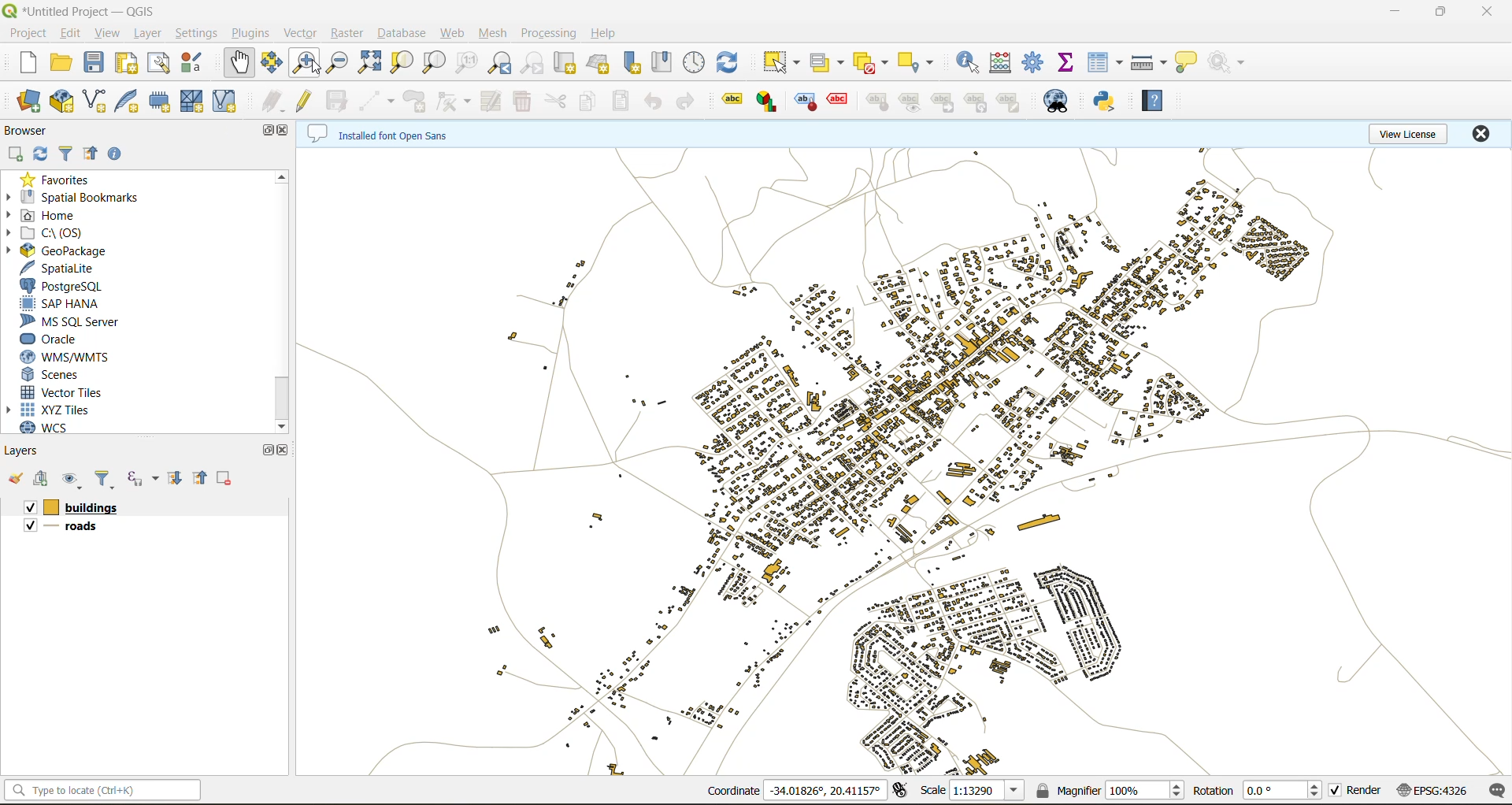 This screenshot has height=805, width=1512. What do you see at coordinates (1002, 62) in the screenshot?
I see `calculator` at bounding box center [1002, 62].